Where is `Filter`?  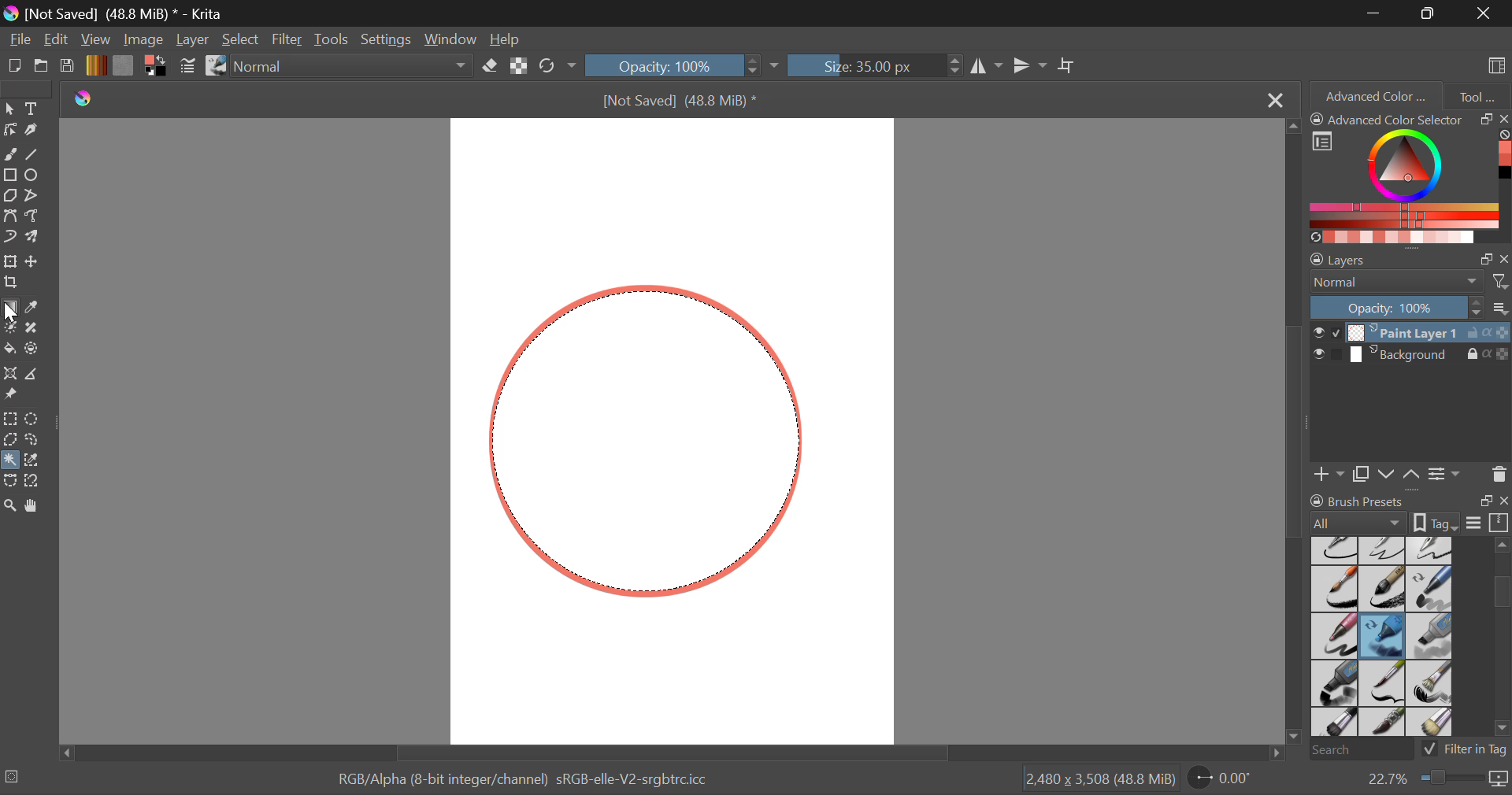
Filter is located at coordinates (289, 40).